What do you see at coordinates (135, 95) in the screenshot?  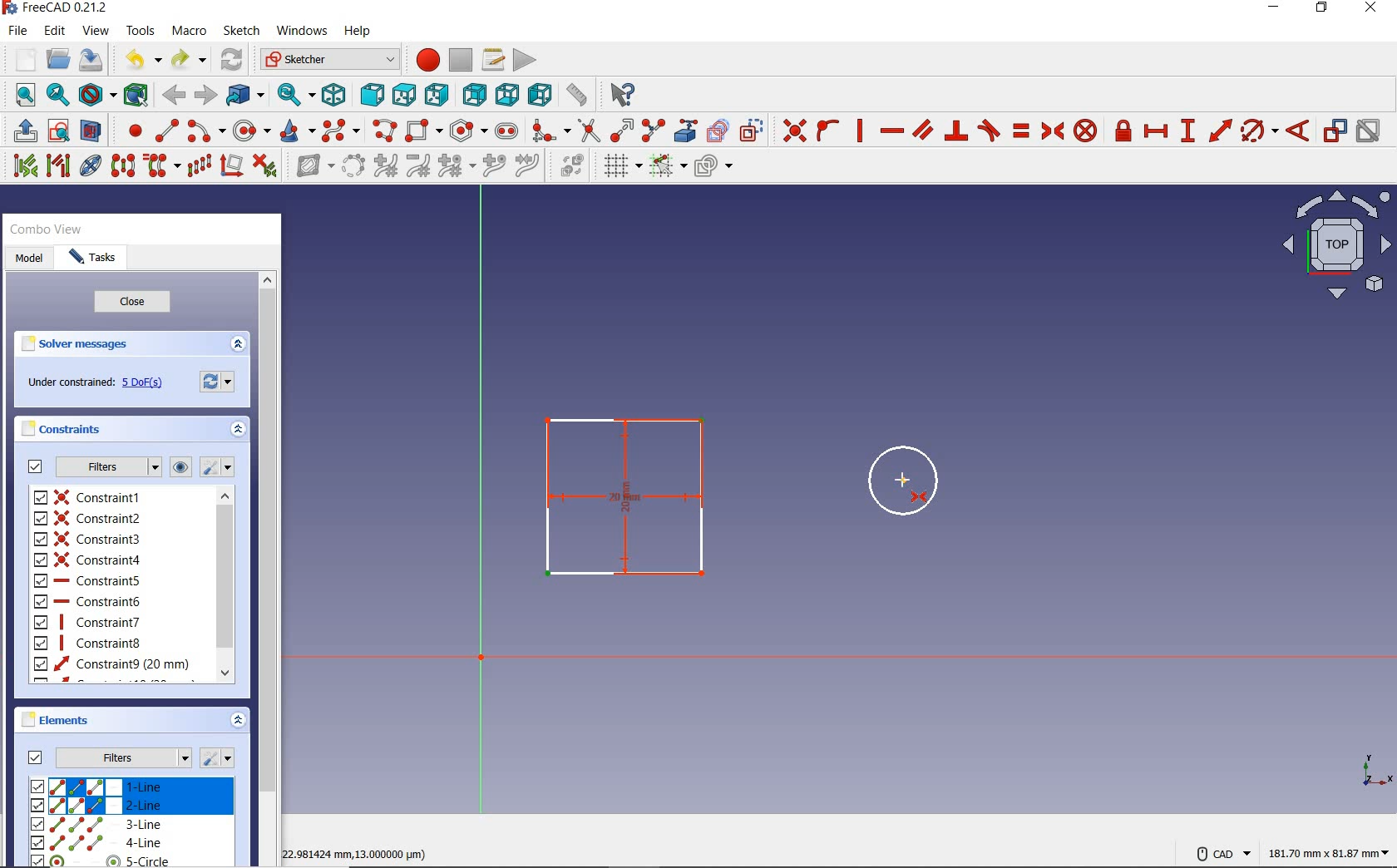 I see `bounding box` at bounding box center [135, 95].